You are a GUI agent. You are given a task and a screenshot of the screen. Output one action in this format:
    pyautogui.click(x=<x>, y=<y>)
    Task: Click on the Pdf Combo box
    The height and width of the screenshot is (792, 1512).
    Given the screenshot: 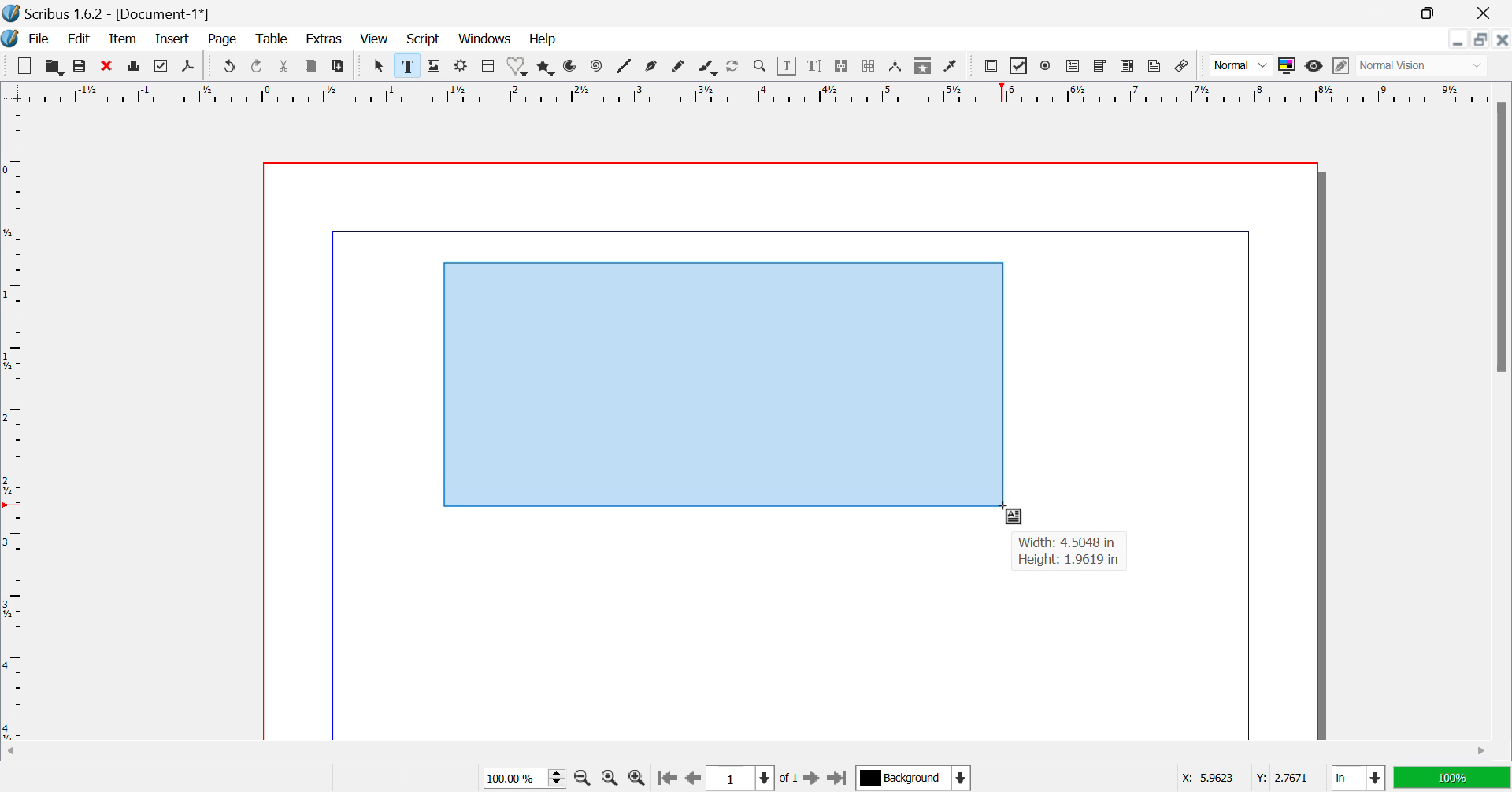 What is the action you would take?
    pyautogui.click(x=1101, y=68)
    